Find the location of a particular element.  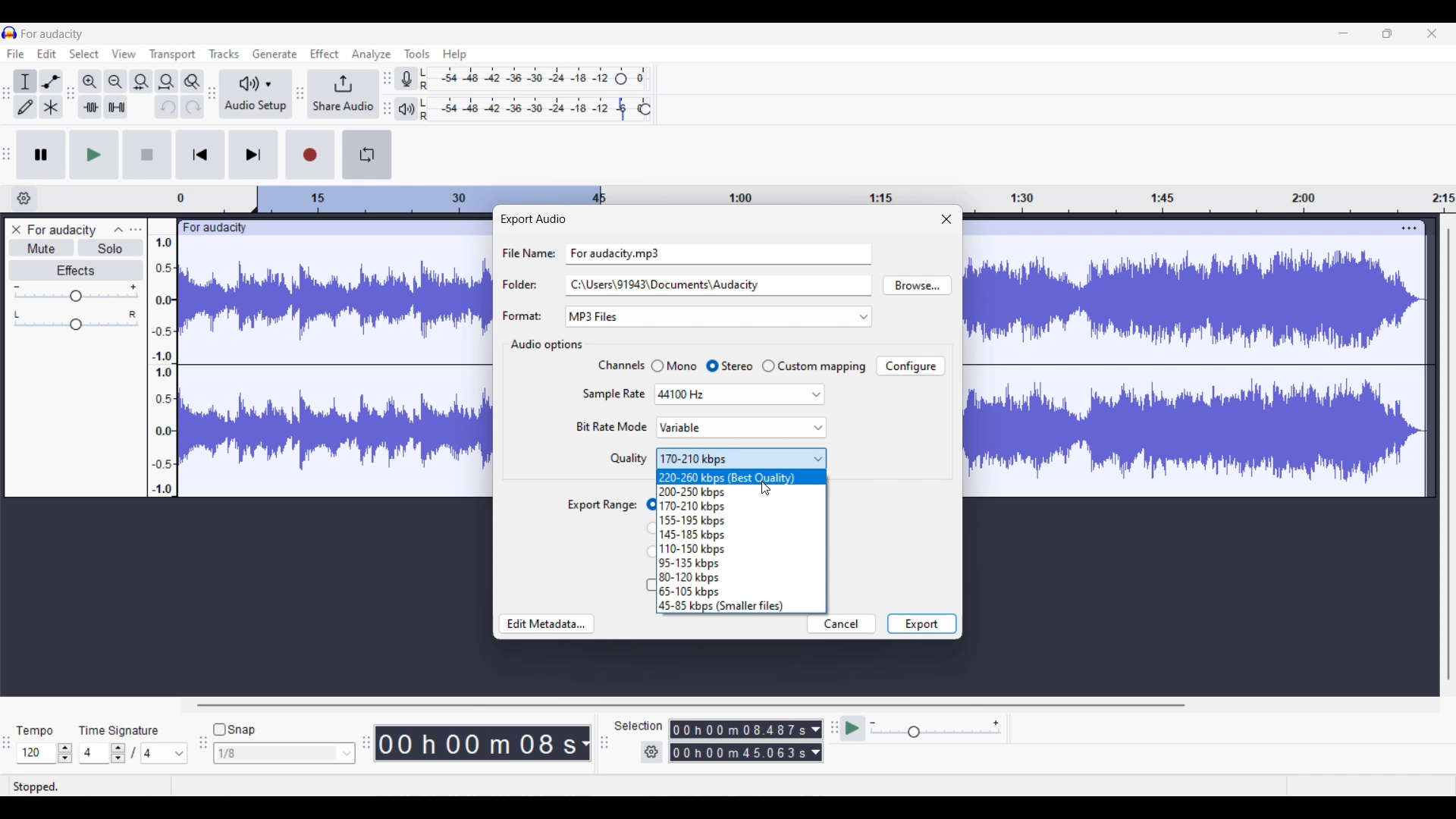

Close interface is located at coordinates (1432, 33).